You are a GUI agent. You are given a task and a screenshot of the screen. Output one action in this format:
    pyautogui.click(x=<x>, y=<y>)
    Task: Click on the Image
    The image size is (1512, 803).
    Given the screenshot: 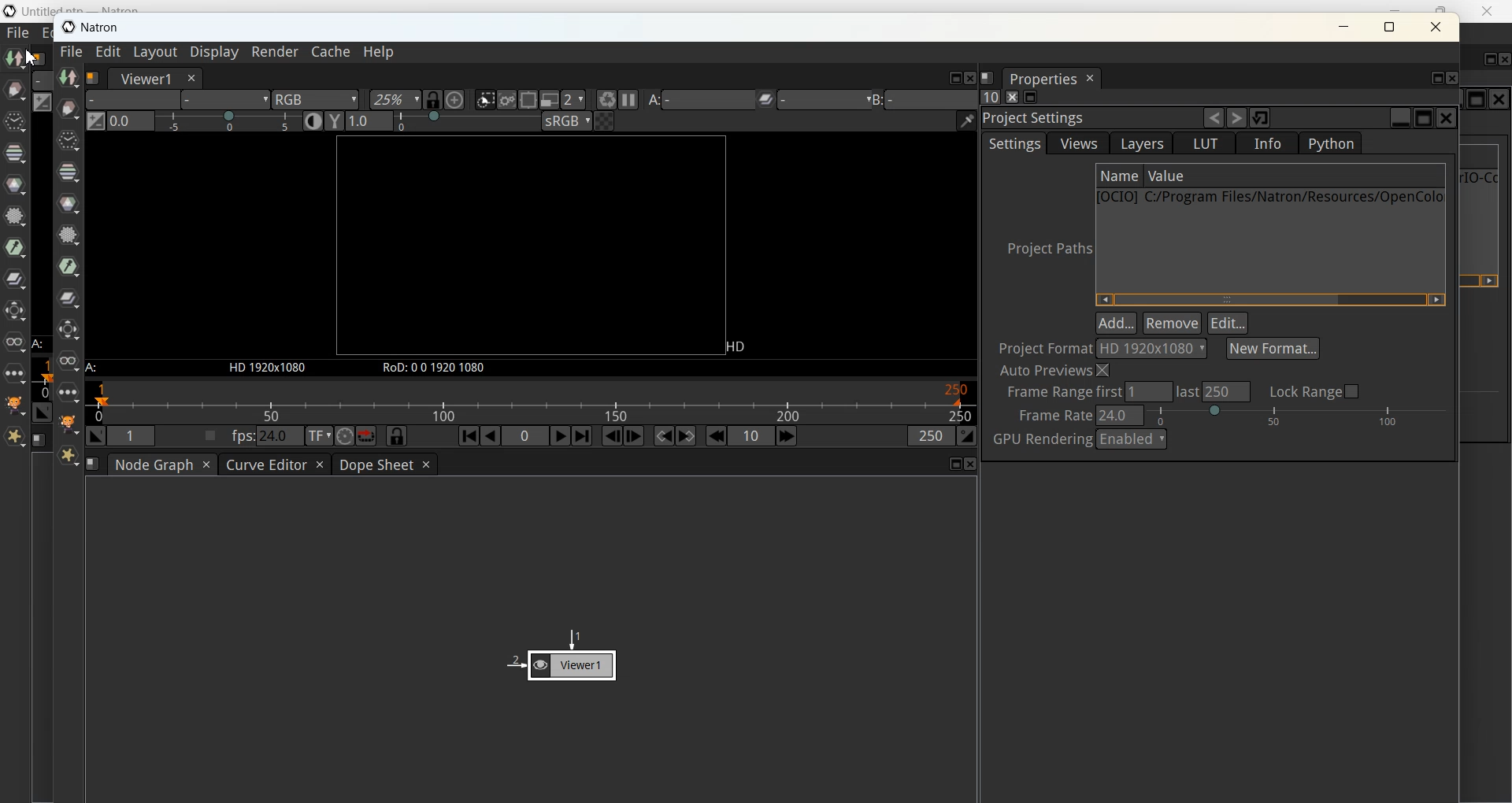 What is the action you would take?
    pyautogui.click(x=17, y=60)
    